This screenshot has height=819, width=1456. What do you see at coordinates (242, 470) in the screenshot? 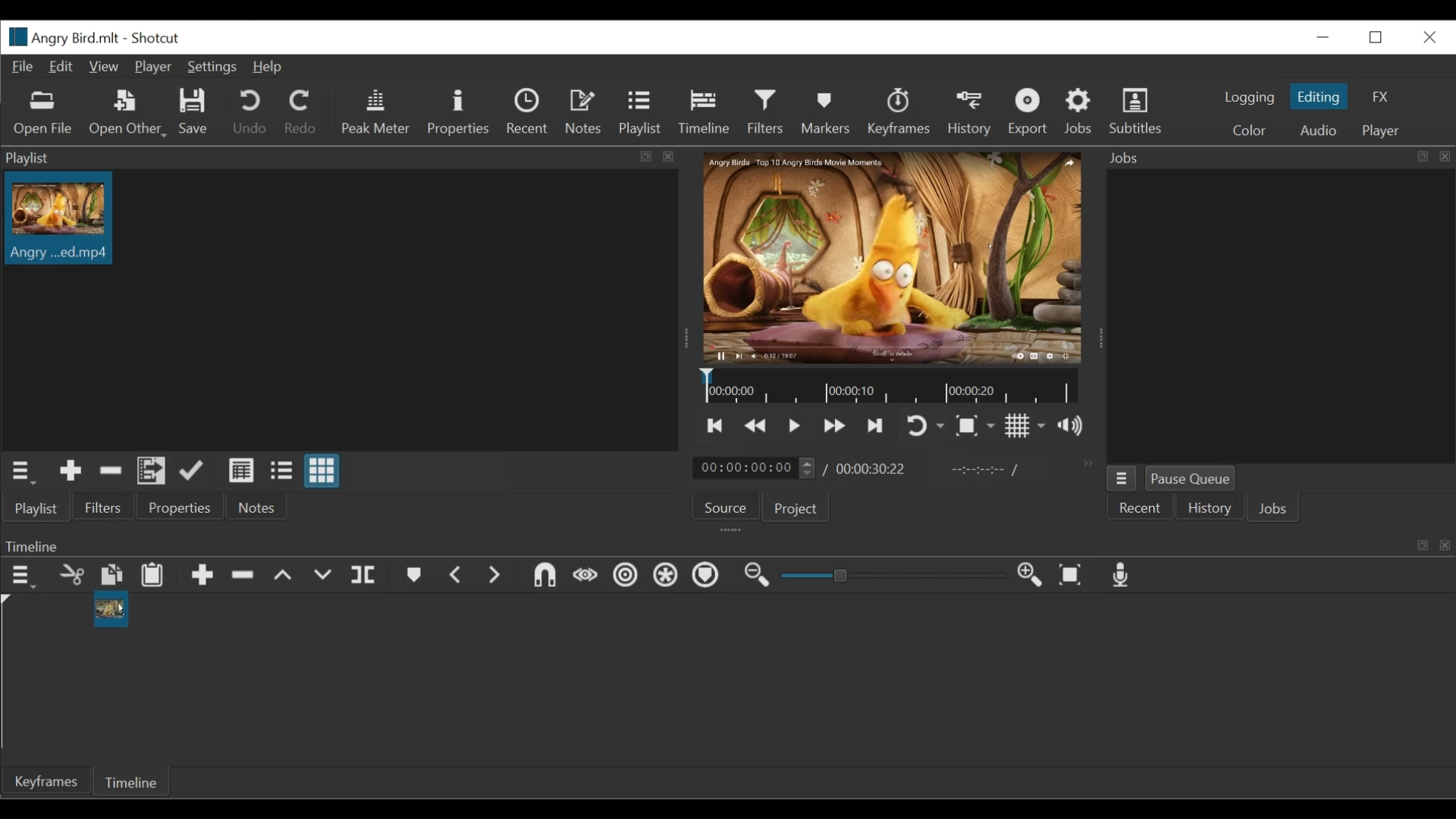
I see `View as details` at bounding box center [242, 470].